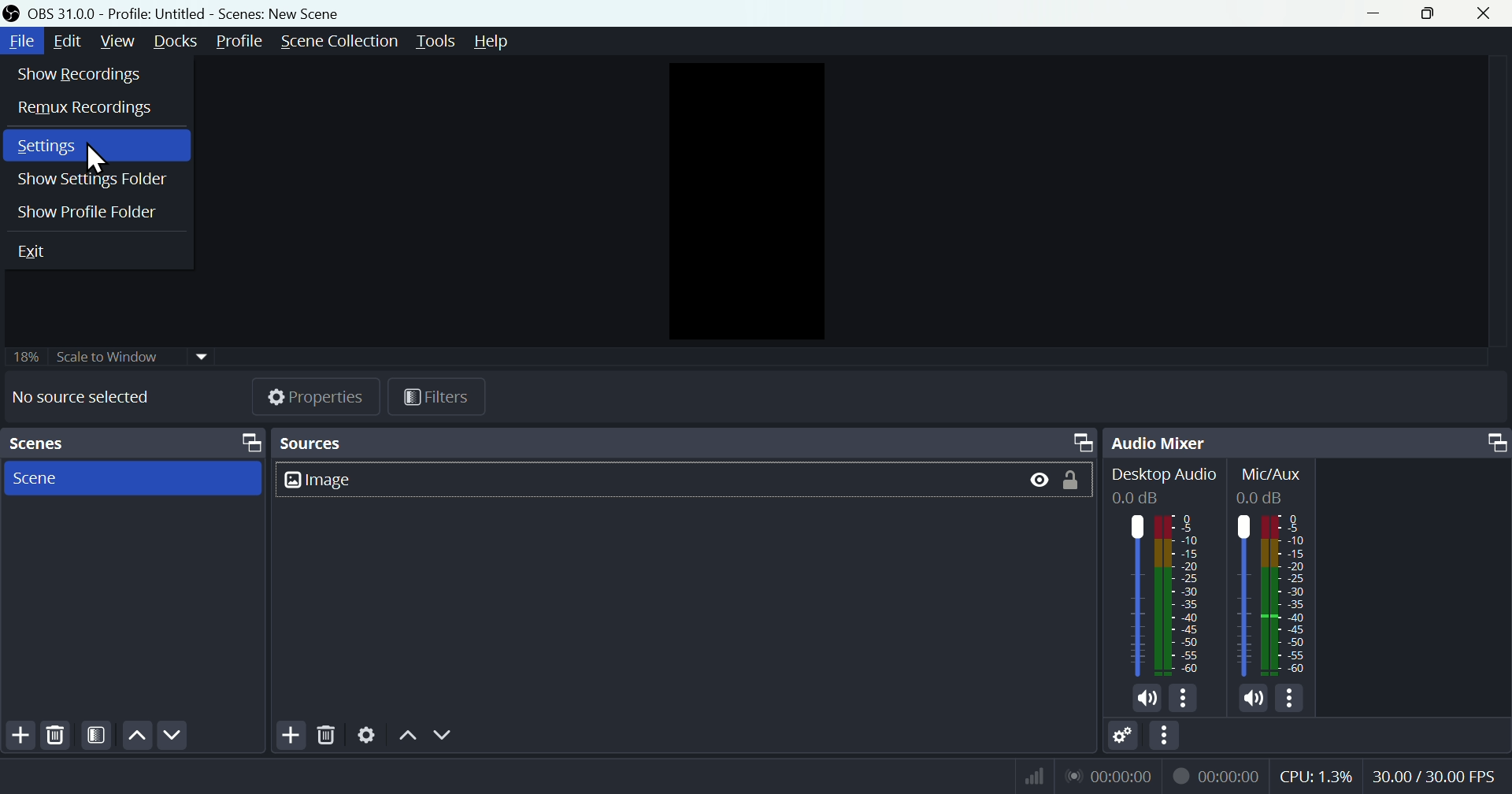 This screenshot has height=794, width=1512. Describe the element at coordinates (1165, 592) in the screenshot. I see `Audio bar` at that location.